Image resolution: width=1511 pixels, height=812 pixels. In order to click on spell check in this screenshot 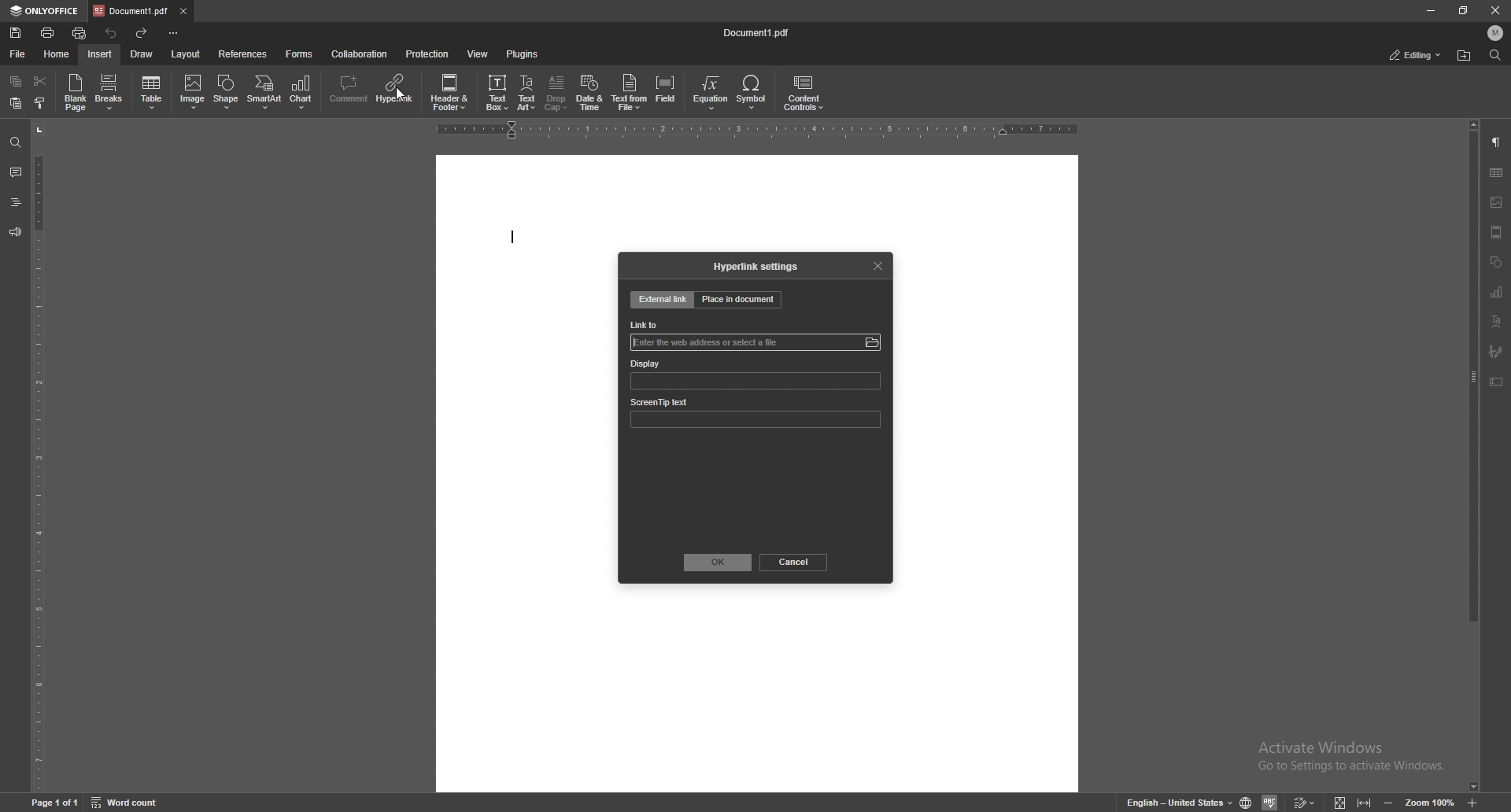, I will do `click(1272, 802)`.